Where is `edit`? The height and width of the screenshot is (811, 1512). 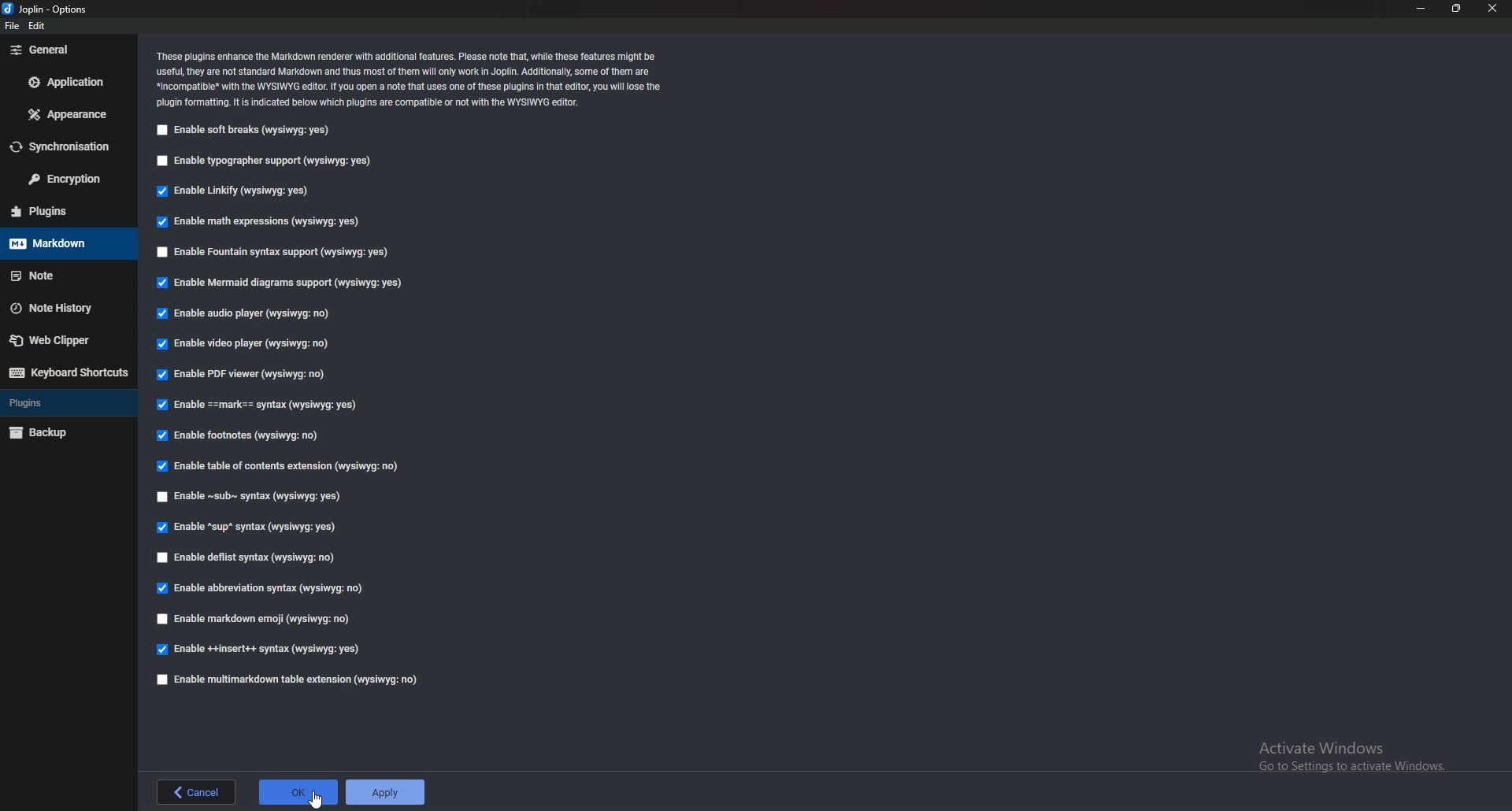 edit is located at coordinates (46, 25).